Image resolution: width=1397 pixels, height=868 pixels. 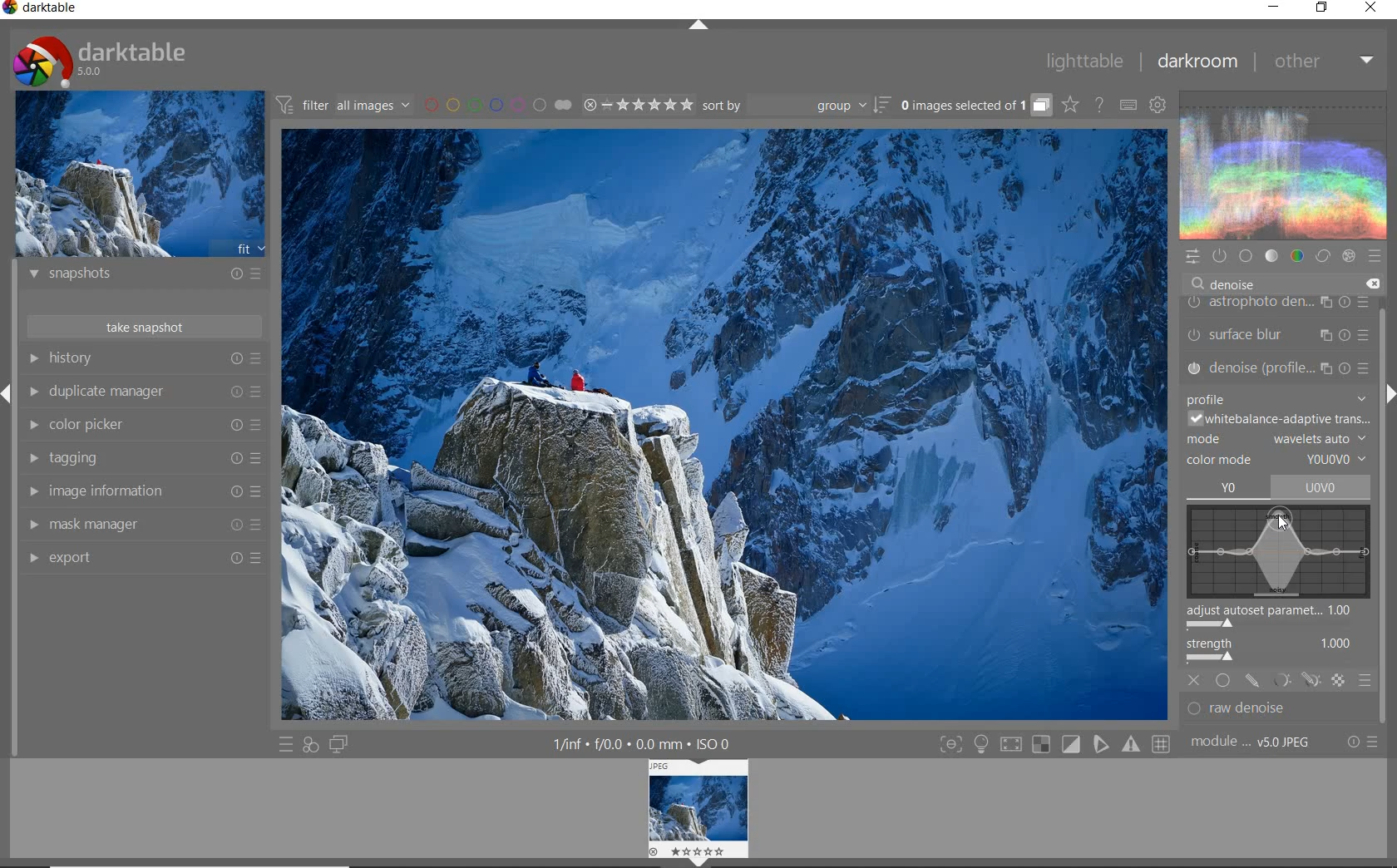 What do you see at coordinates (796, 106) in the screenshot?
I see `sort` at bounding box center [796, 106].